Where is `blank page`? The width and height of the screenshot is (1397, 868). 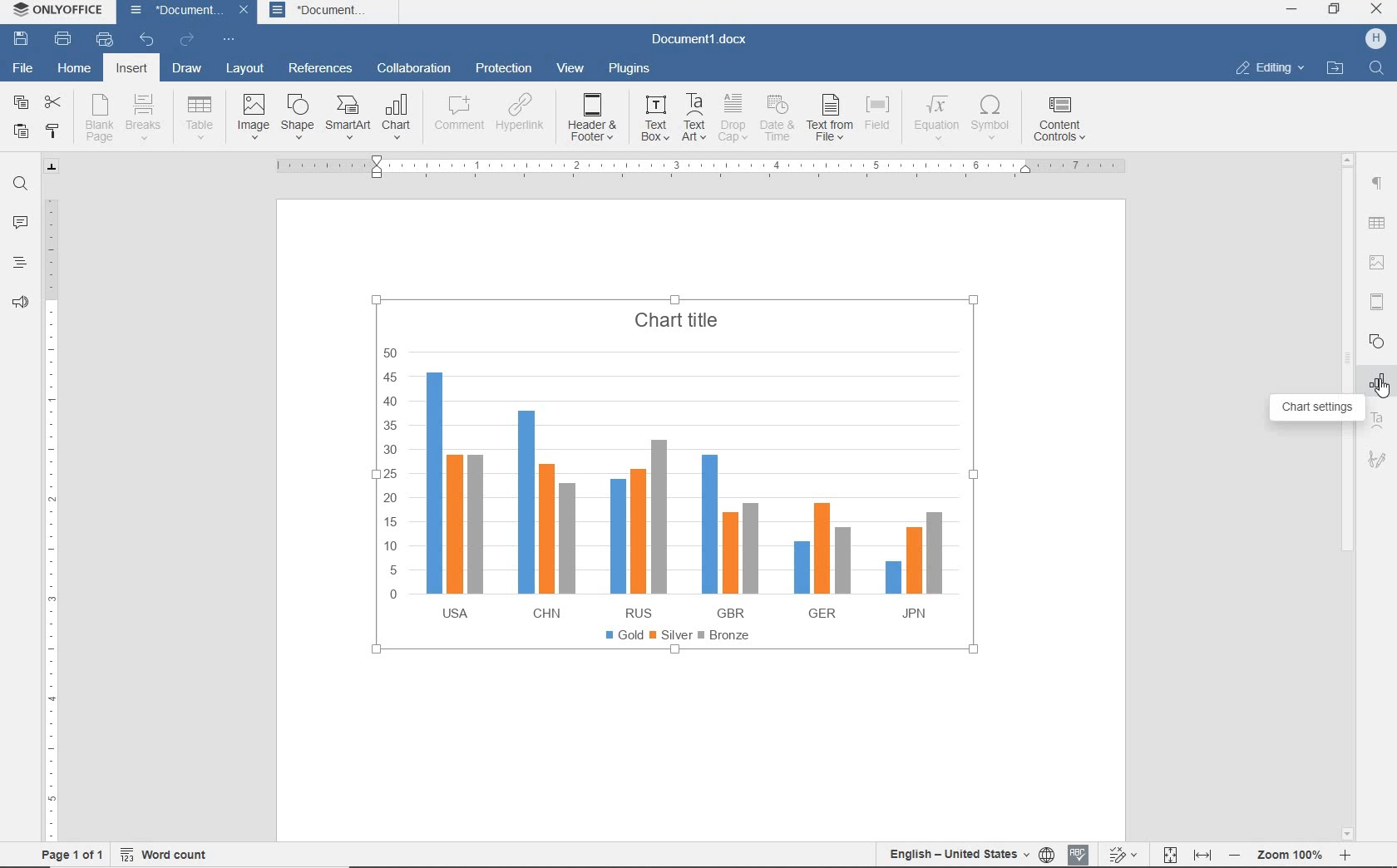 blank page is located at coordinates (99, 118).